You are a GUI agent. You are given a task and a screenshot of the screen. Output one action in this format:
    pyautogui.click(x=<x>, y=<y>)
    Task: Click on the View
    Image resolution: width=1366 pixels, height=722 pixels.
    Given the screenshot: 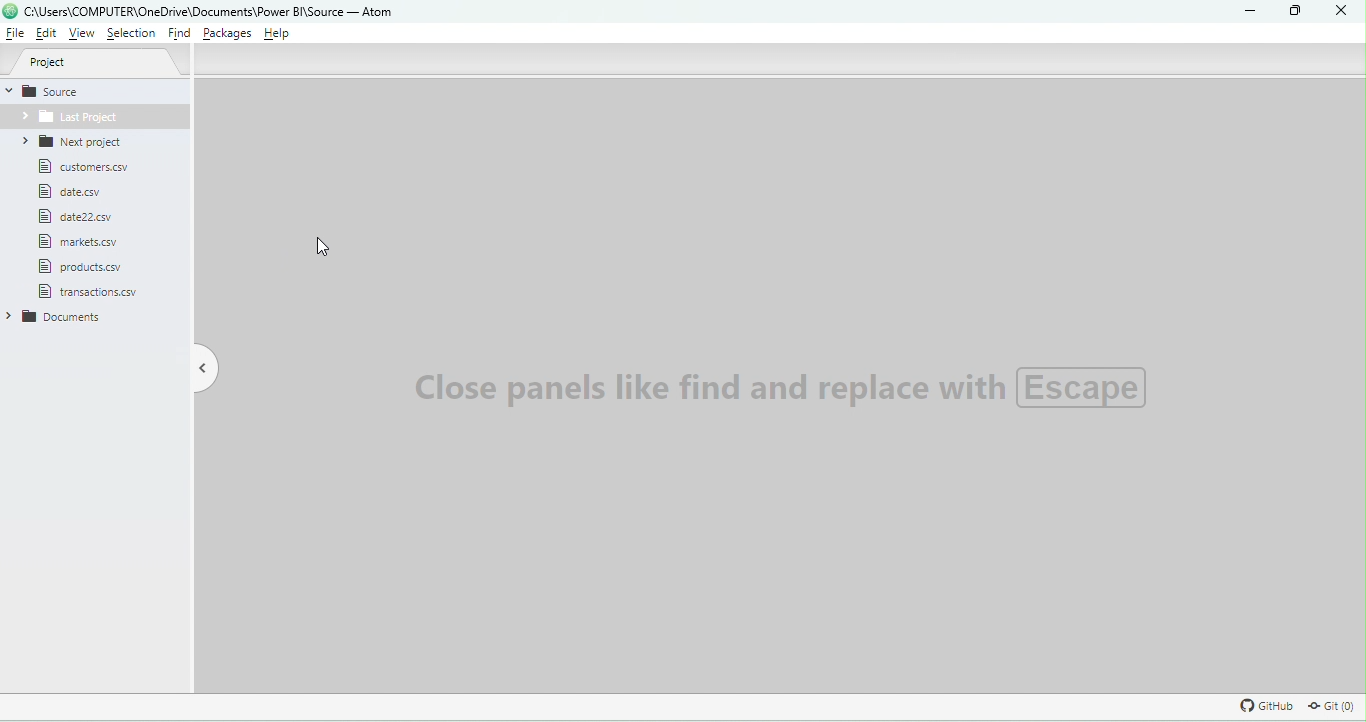 What is the action you would take?
    pyautogui.click(x=83, y=34)
    